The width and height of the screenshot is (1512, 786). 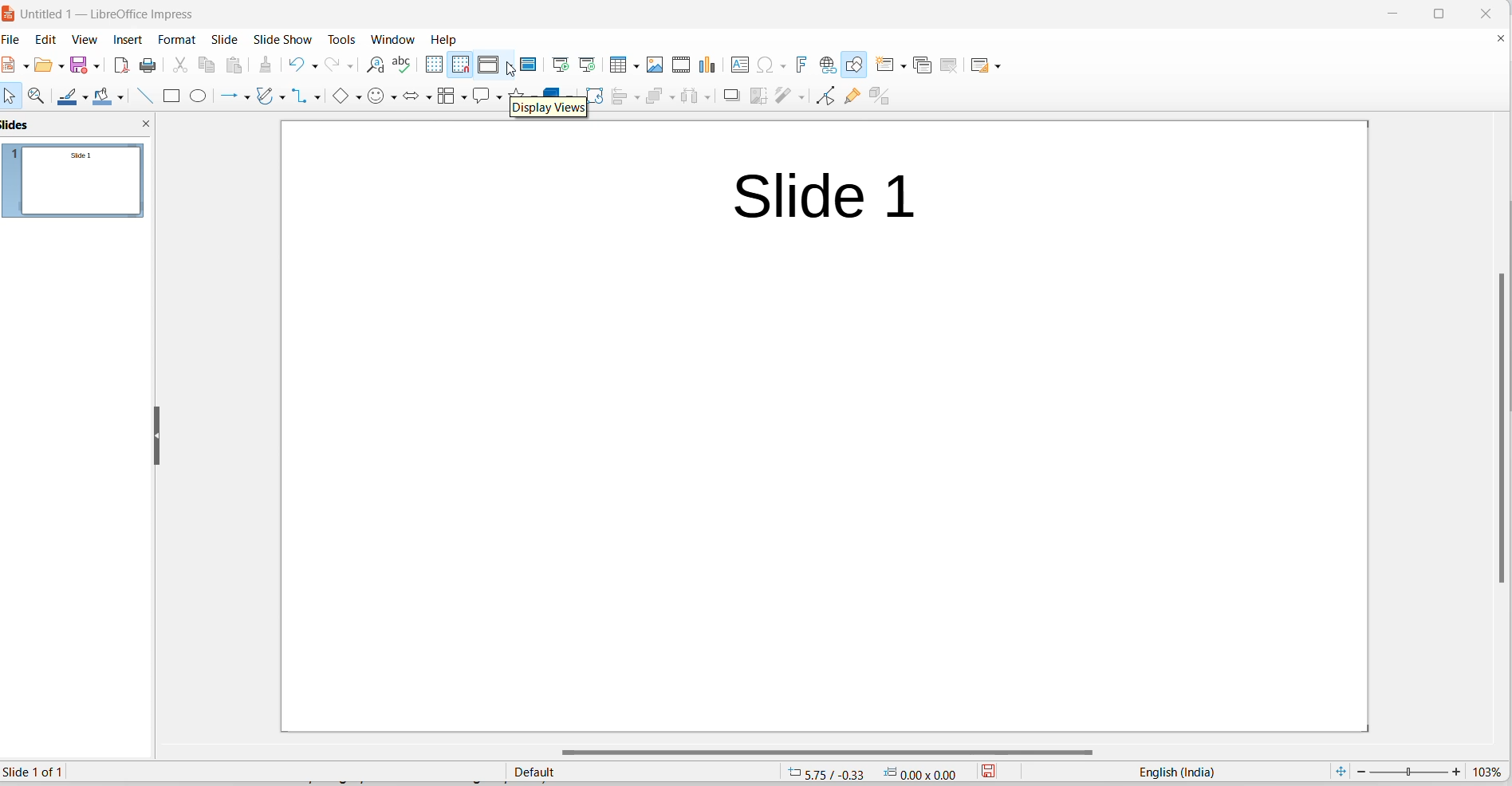 What do you see at coordinates (782, 64) in the screenshot?
I see `special characters options` at bounding box center [782, 64].